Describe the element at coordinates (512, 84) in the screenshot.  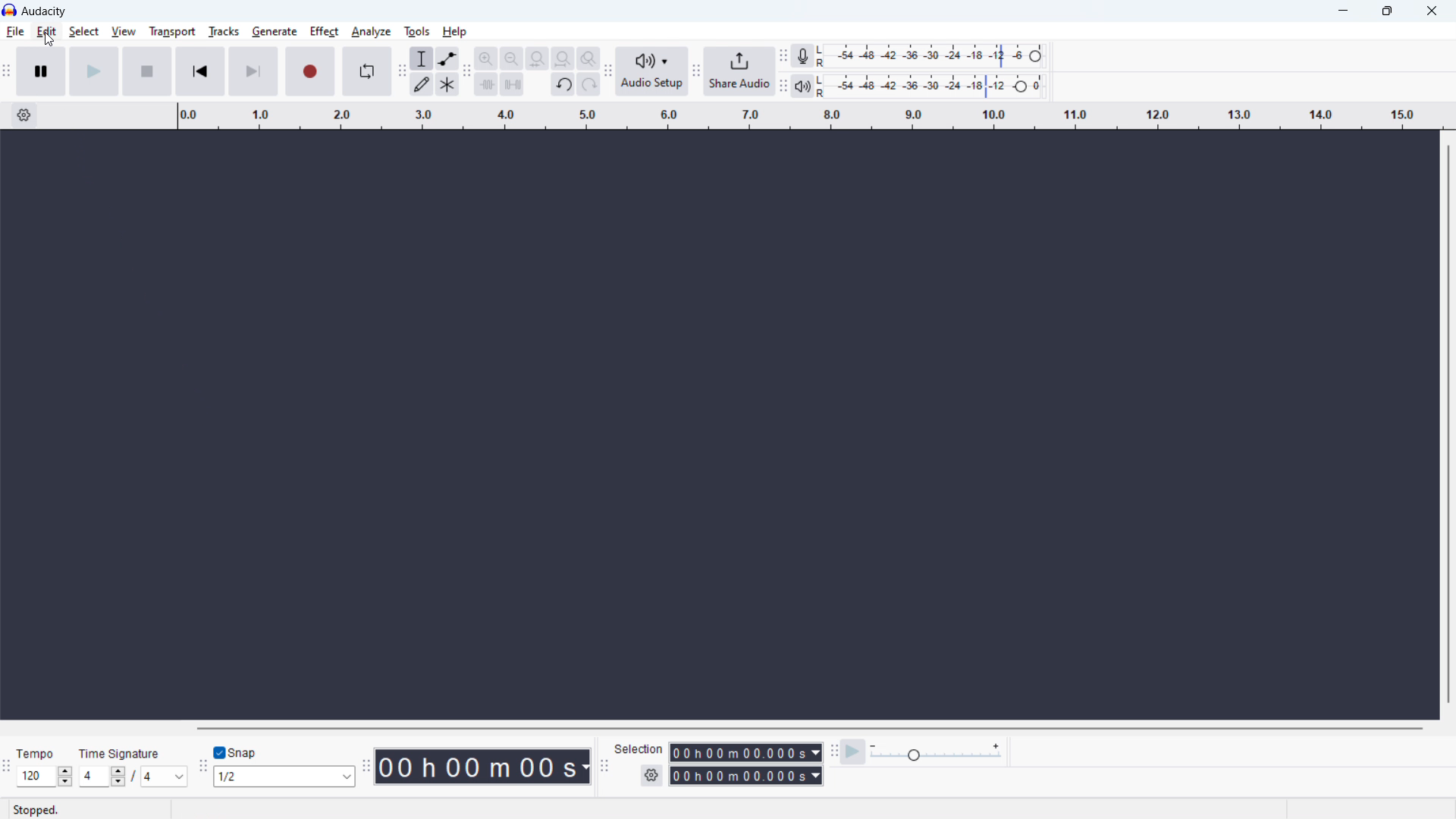
I see `silence audio selection` at that location.